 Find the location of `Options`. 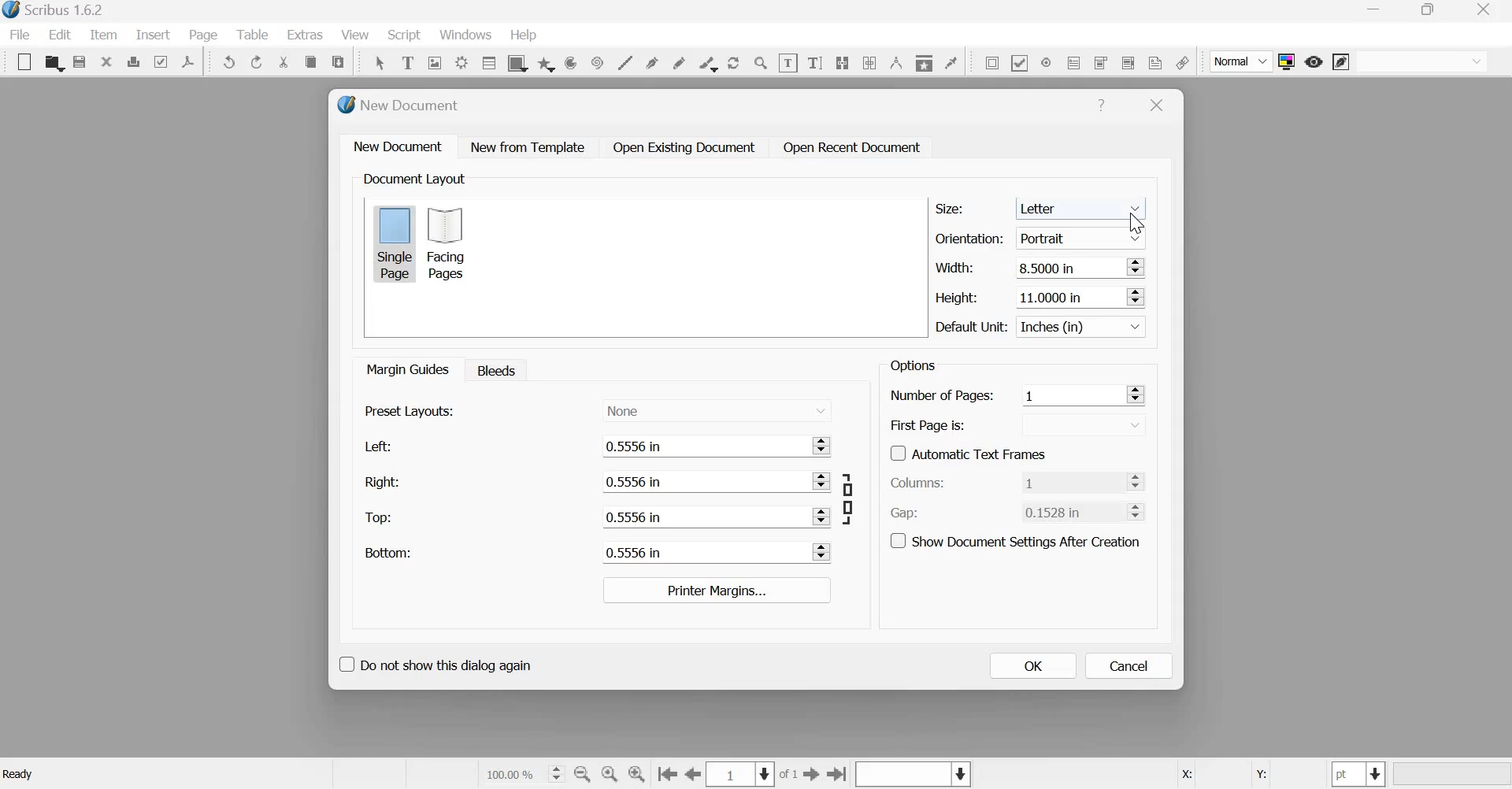

Options is located at coordinates (910, 365).